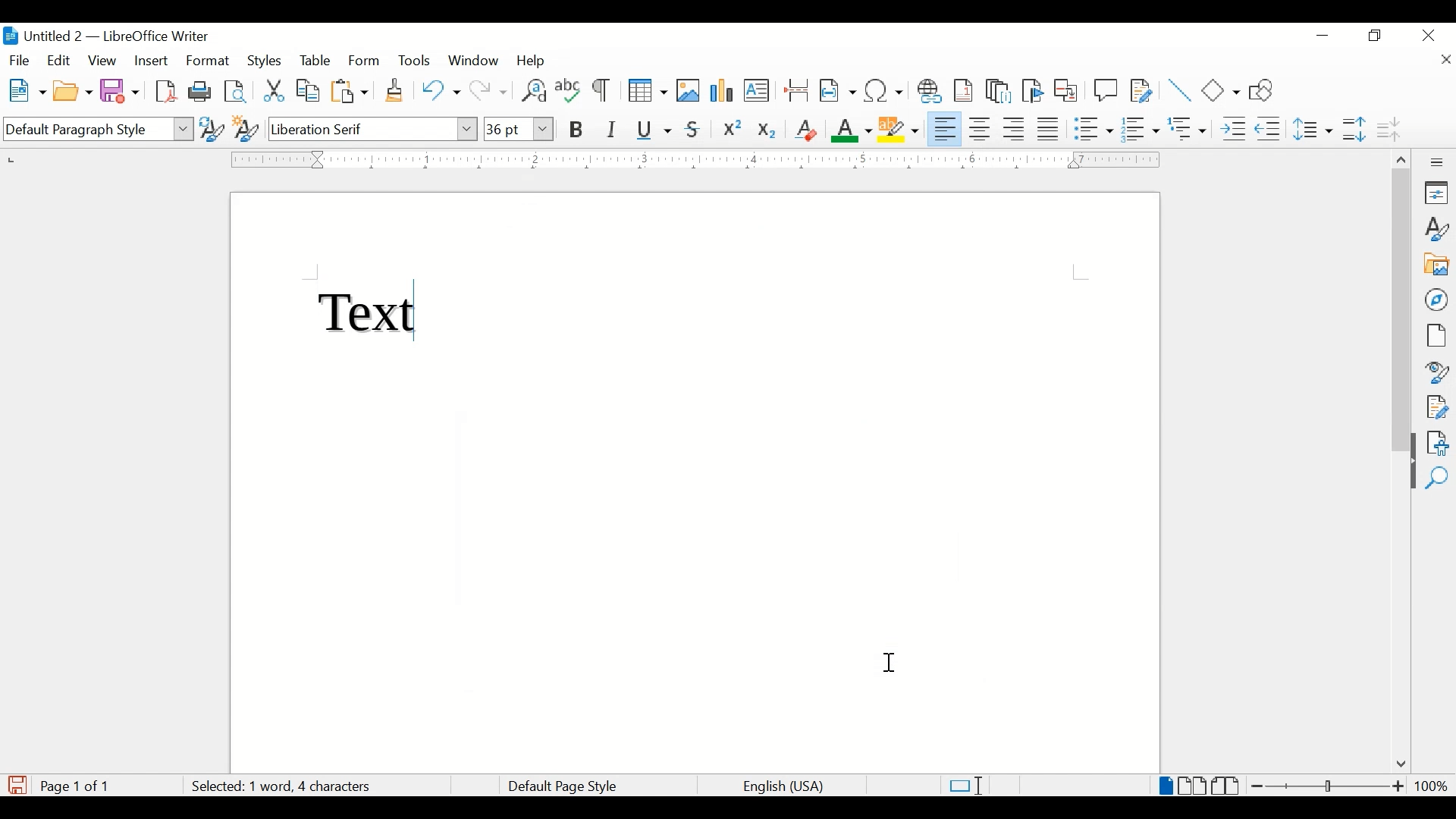 The width and height of the screenshot is (1456, 819). I want to click on edit, so click(60, 60).